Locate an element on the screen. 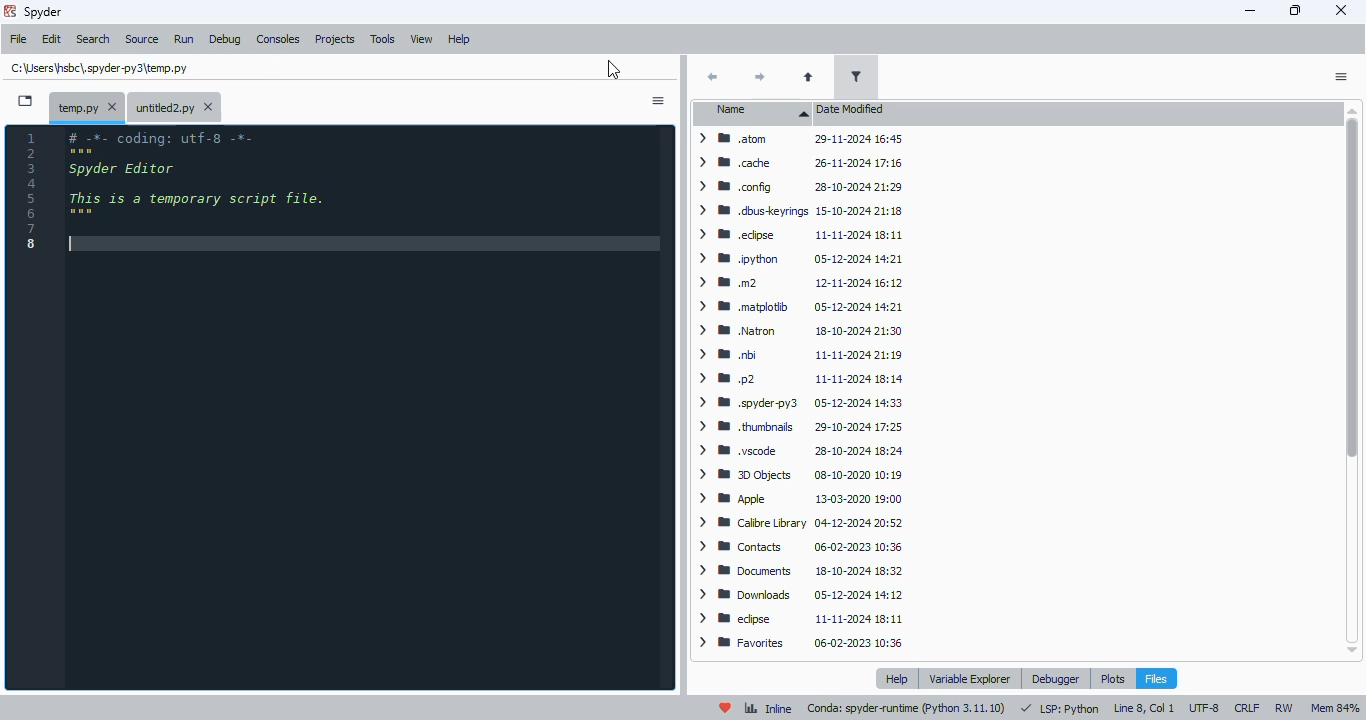 The image size is (1366, 720). variable explorer is located at coordinates (971, 678).